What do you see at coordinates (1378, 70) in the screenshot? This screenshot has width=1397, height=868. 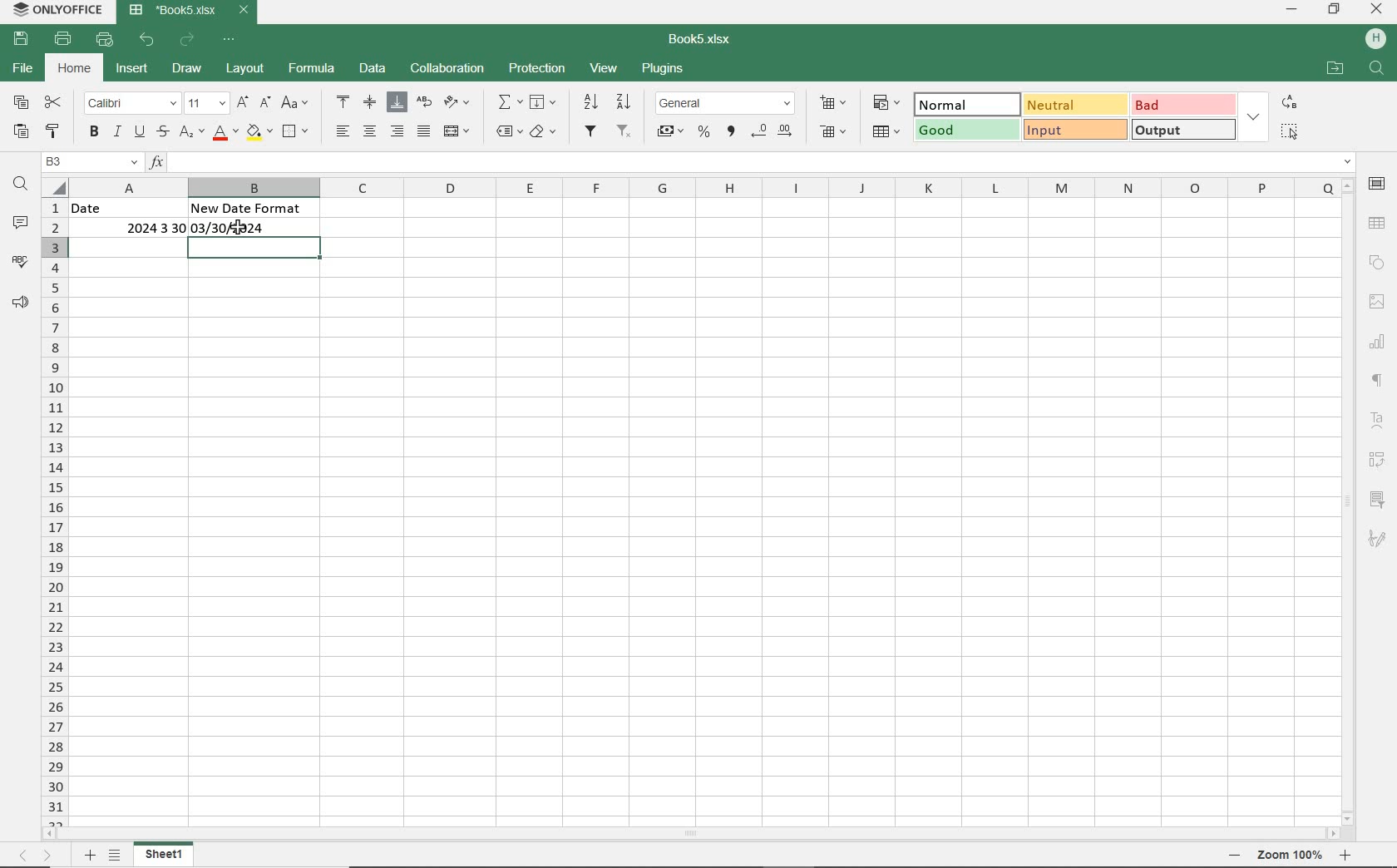 I see `FIND` at bounding box center [1378, 70].